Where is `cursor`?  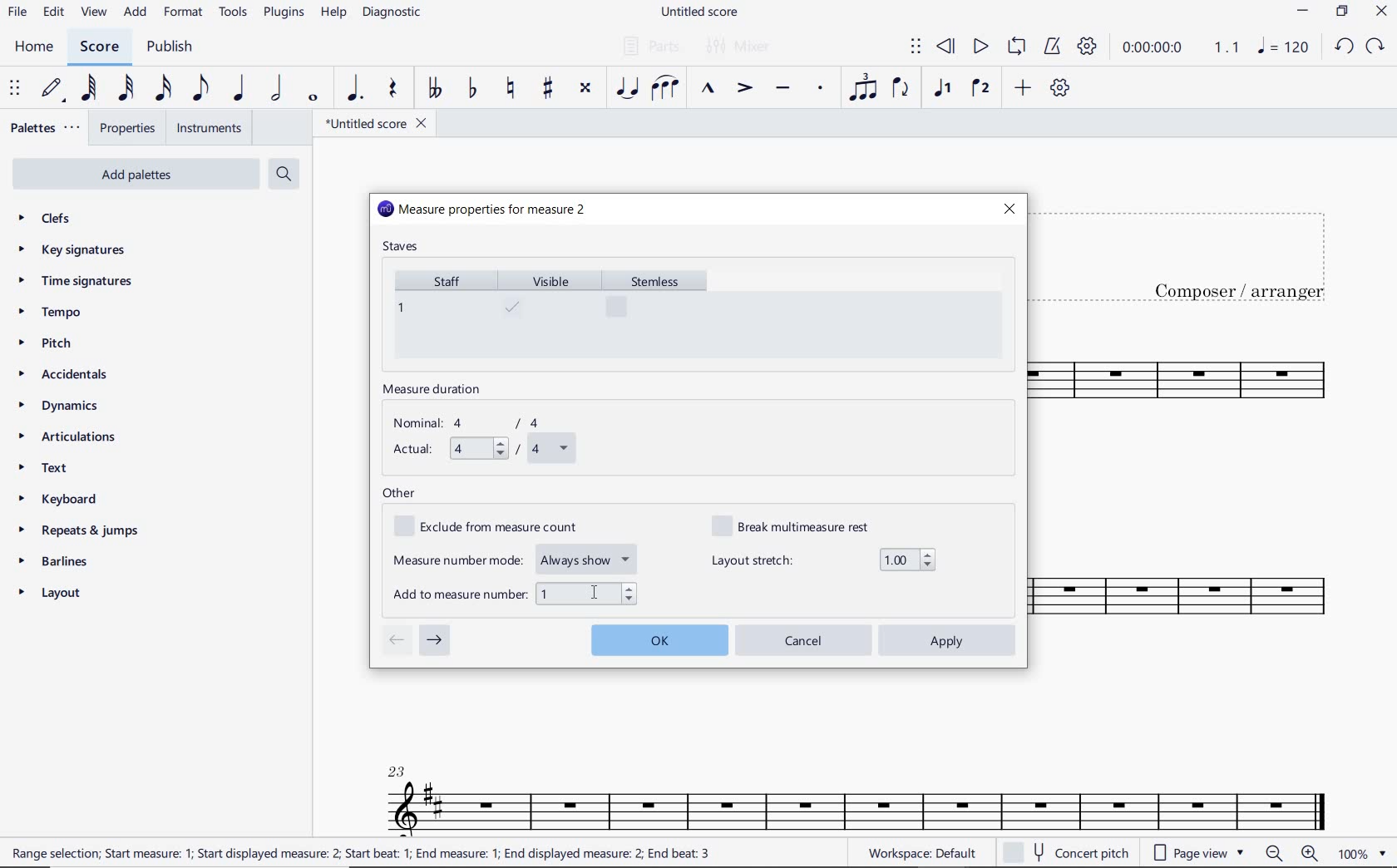 cursor is located at coordinates (590, 592).